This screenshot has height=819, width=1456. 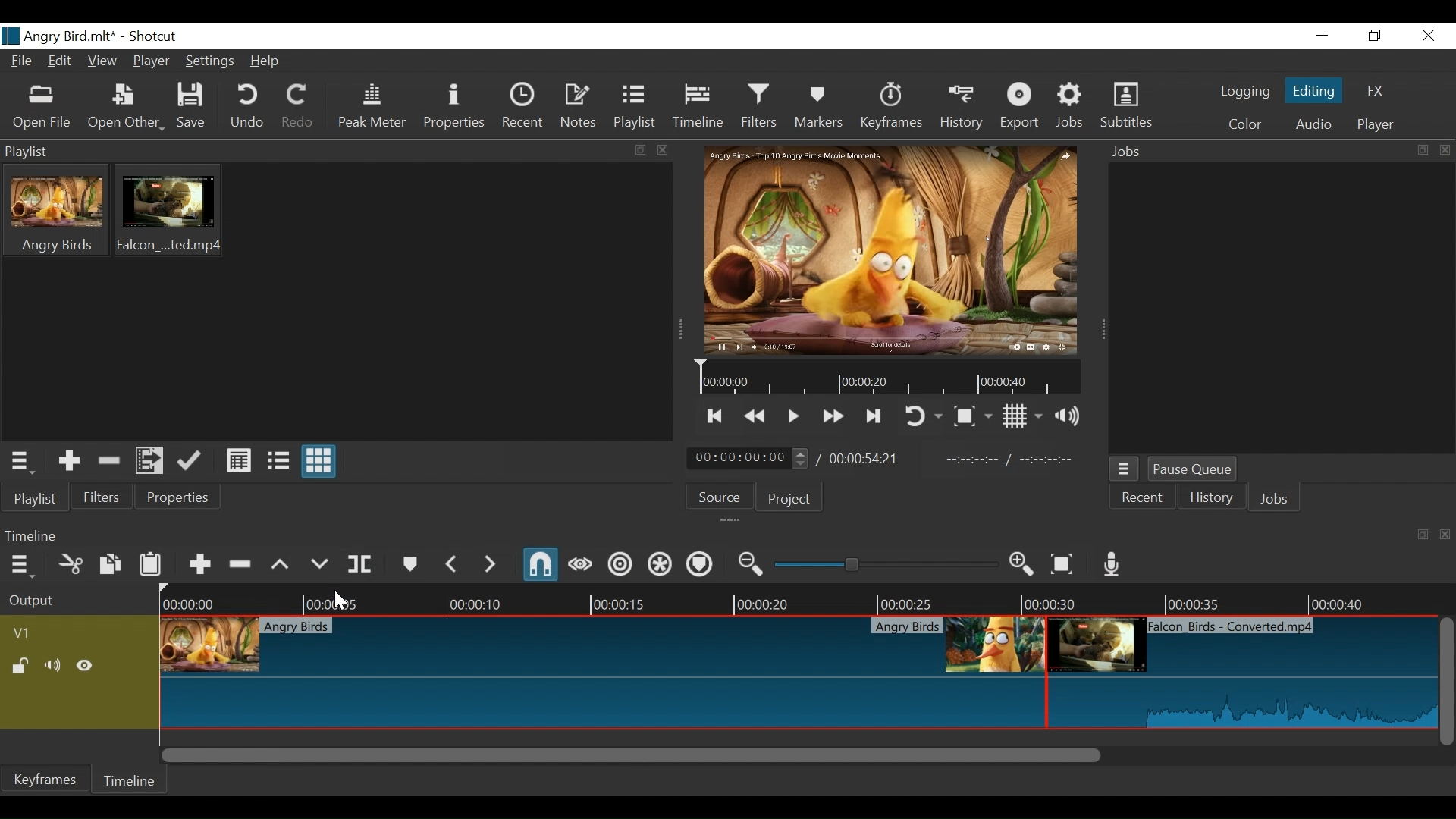 I want to click on Restore, so click(x=1376, y=36).